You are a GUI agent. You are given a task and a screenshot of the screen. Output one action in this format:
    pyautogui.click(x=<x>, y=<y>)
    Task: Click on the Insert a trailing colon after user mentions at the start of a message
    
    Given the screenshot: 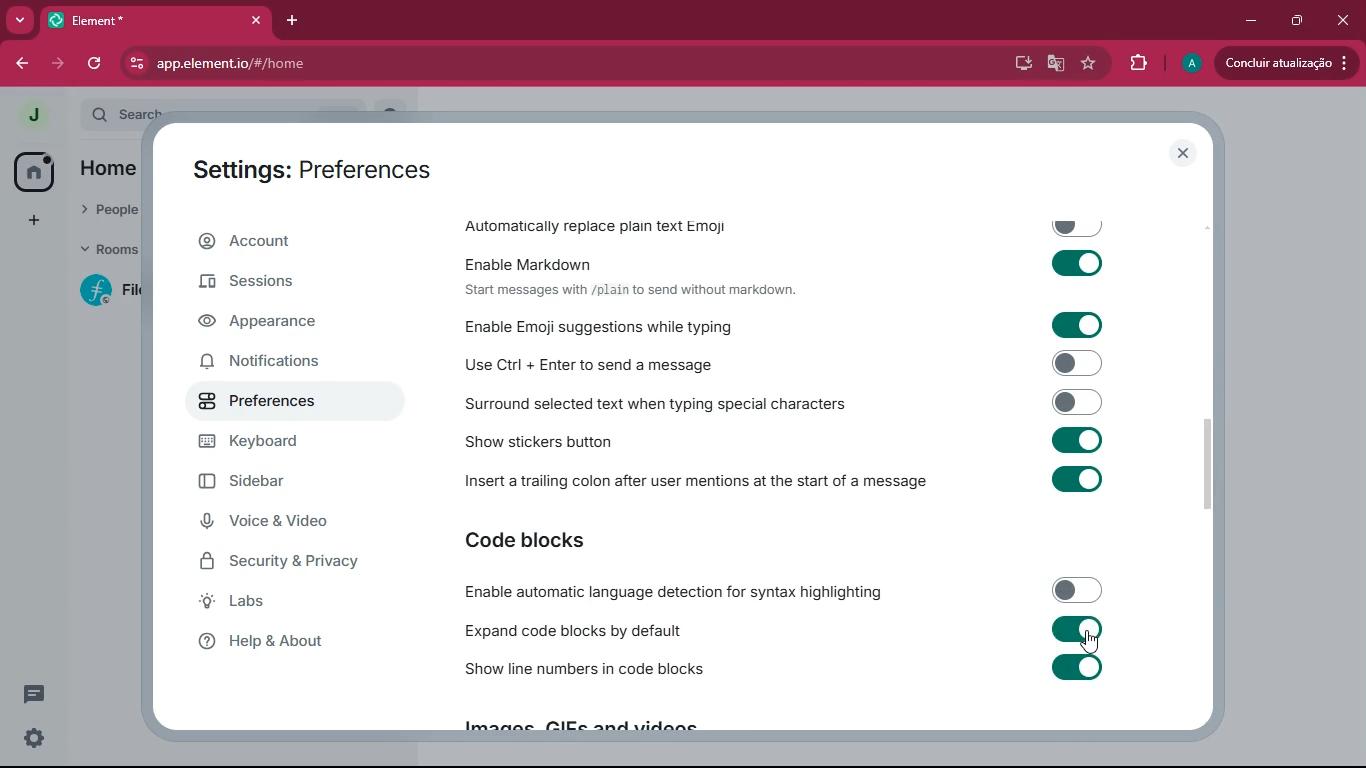 What is the action you would take?
    pyautogui.click(x=790, y=485)
    